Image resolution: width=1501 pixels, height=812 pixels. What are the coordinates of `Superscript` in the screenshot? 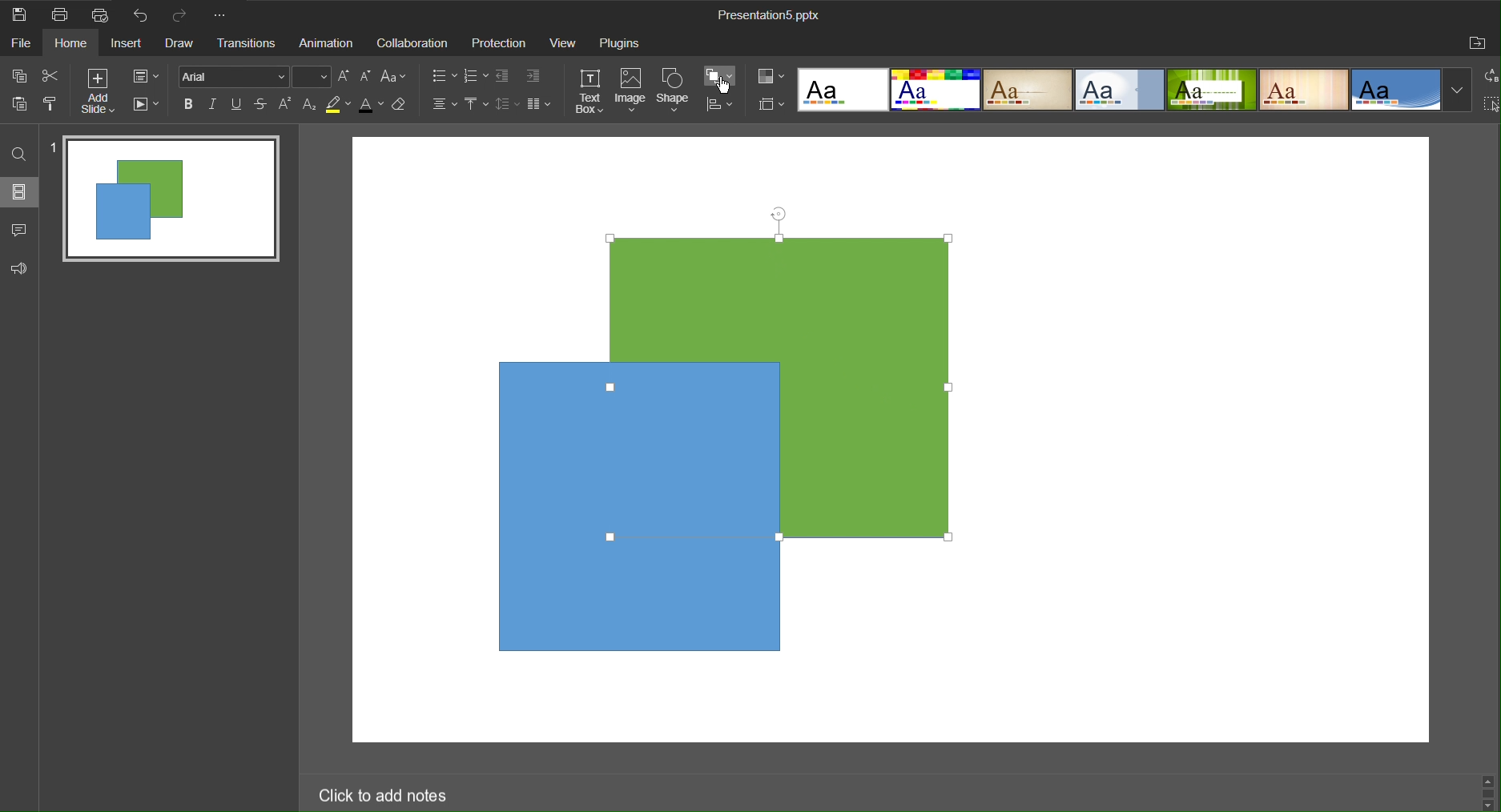 It's located at (284, 107).